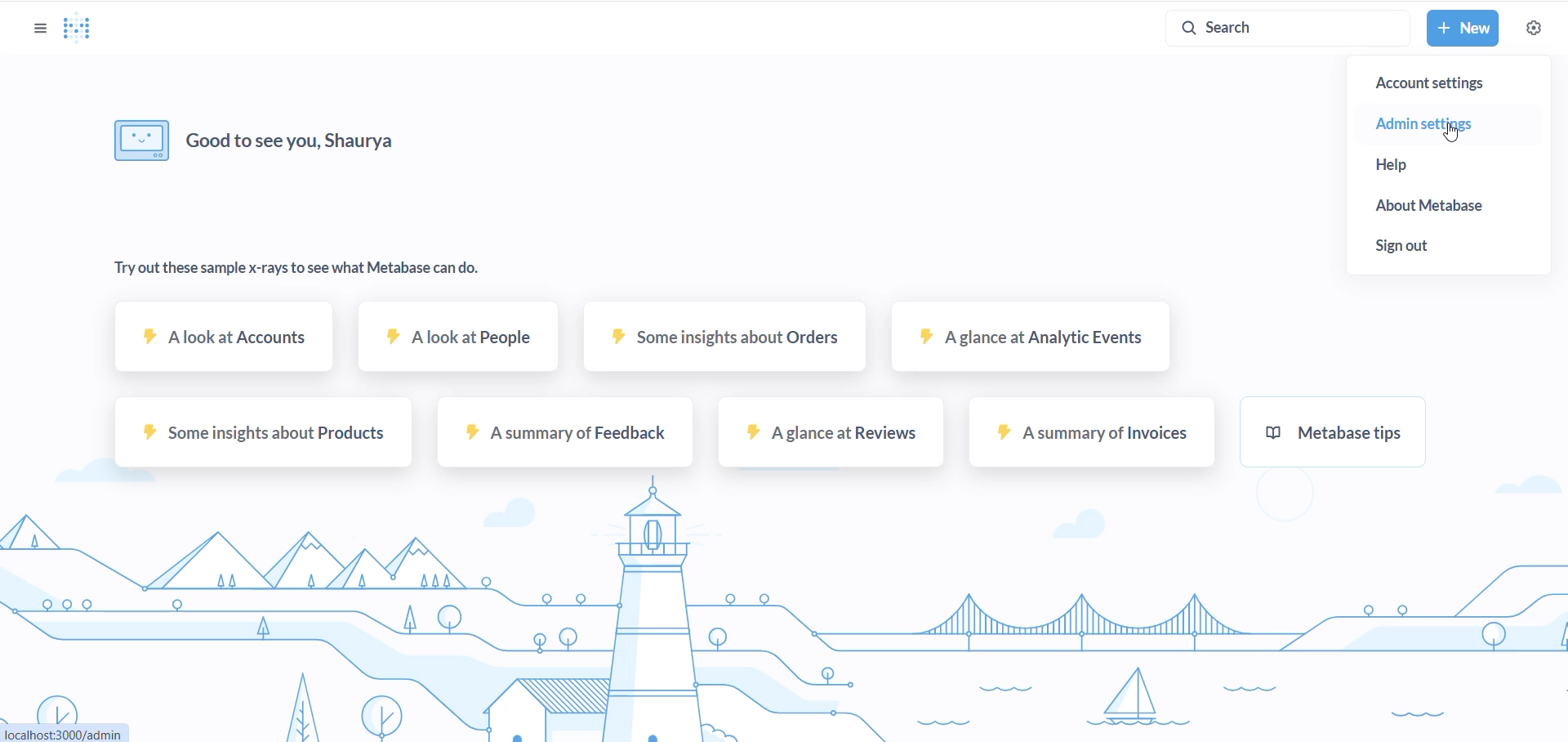 The image size is (1568, 742). I want to click on some insights about products, so click(262, 440).